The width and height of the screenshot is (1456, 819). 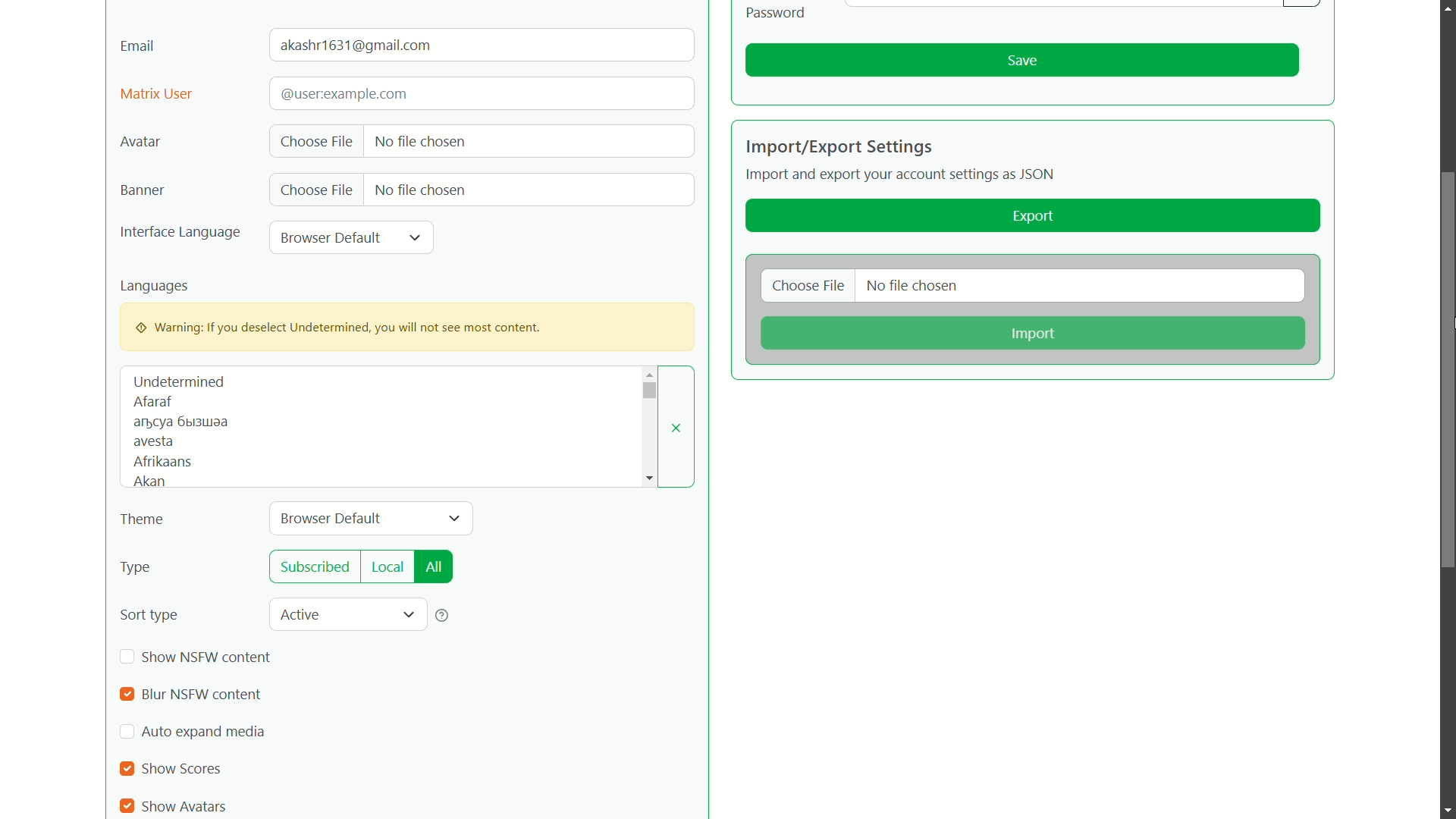 I want to click on browser default, so click(x=331, y=237).